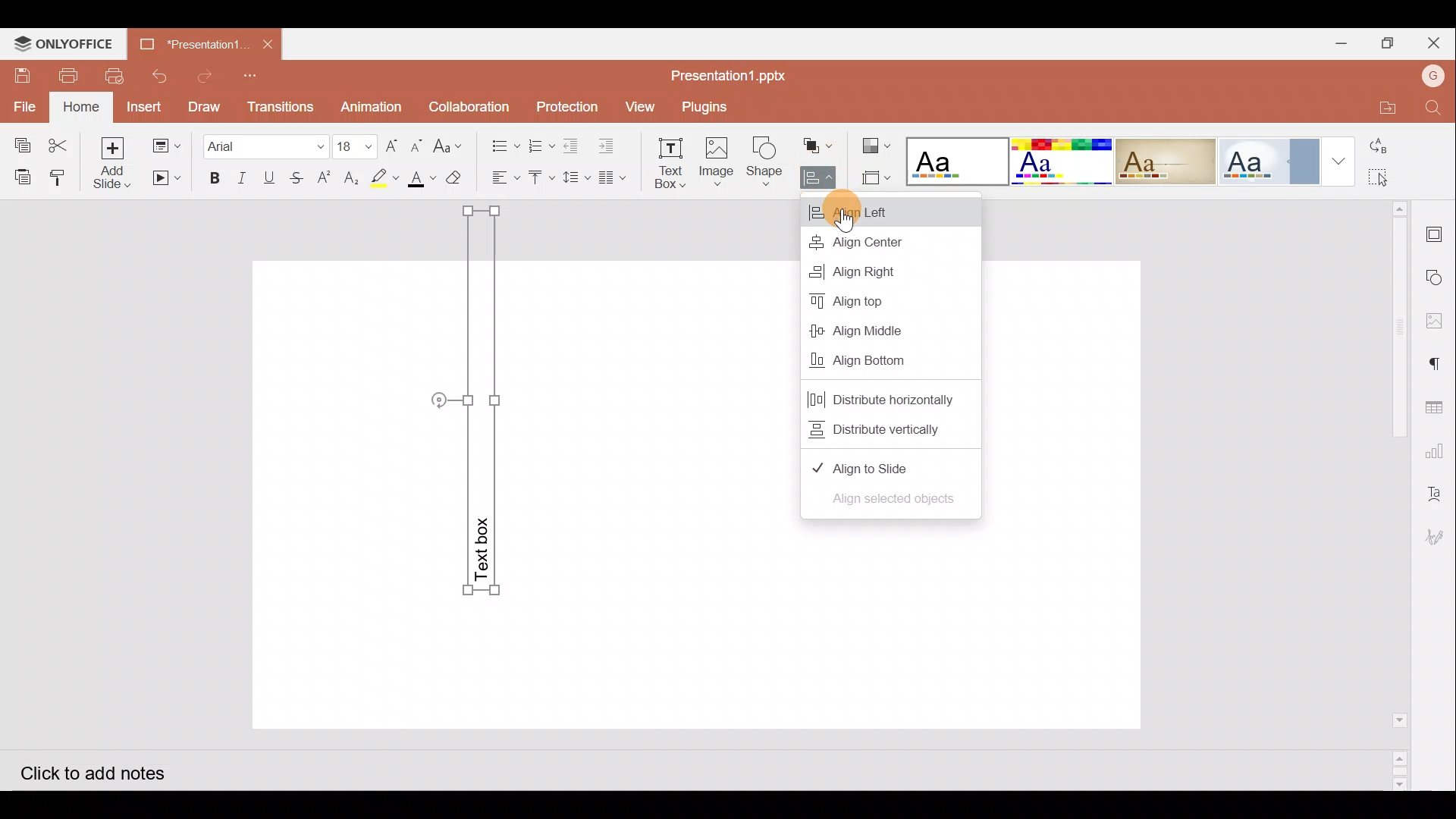 The width and height of the screenshot is (1456, 819). I want to click on Select slide size, so click(877, 178).